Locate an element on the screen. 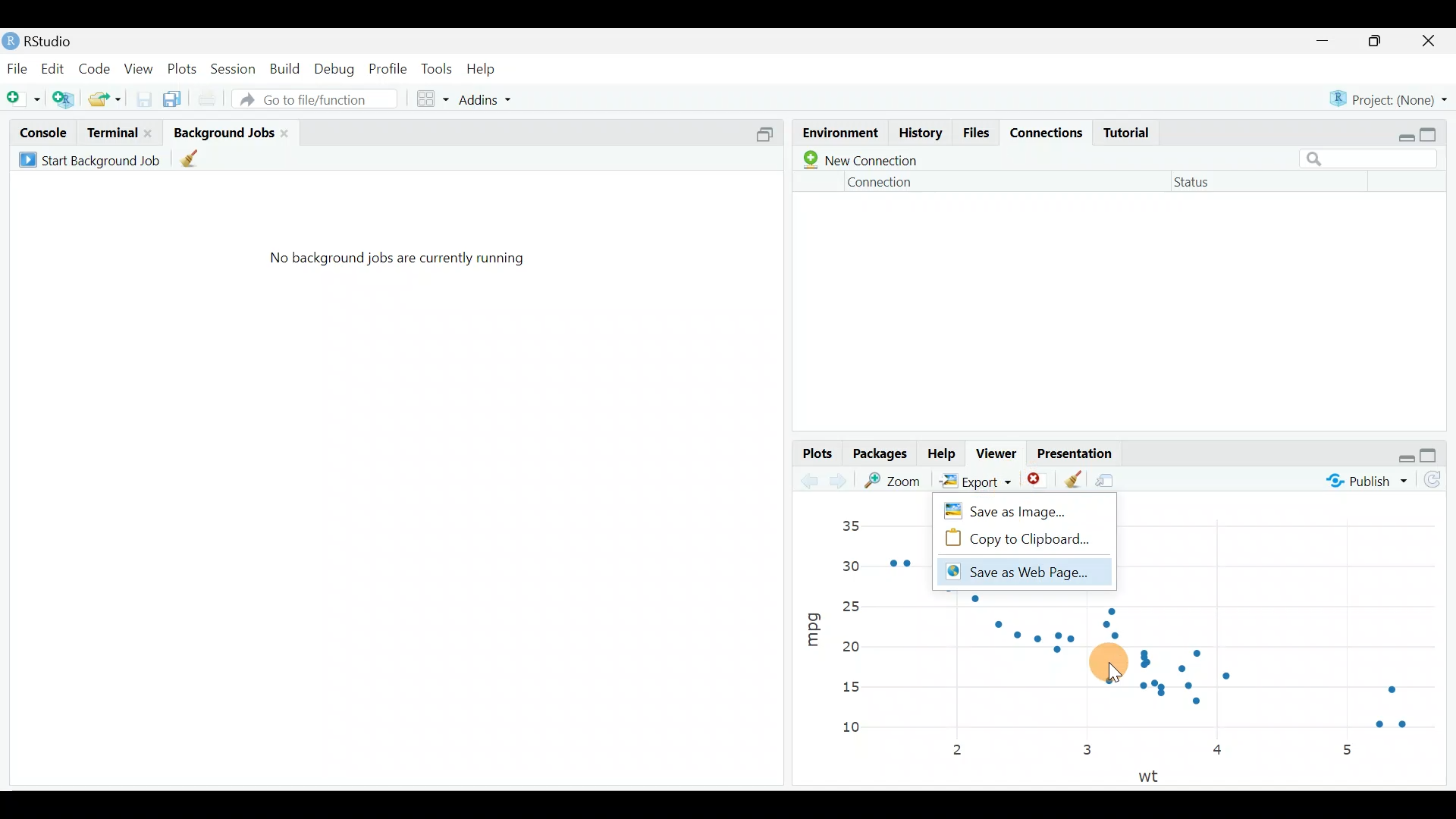 Image resolution: width=1456 pixels, height=819 pixels. New connection is located at coordinates (857, 160).